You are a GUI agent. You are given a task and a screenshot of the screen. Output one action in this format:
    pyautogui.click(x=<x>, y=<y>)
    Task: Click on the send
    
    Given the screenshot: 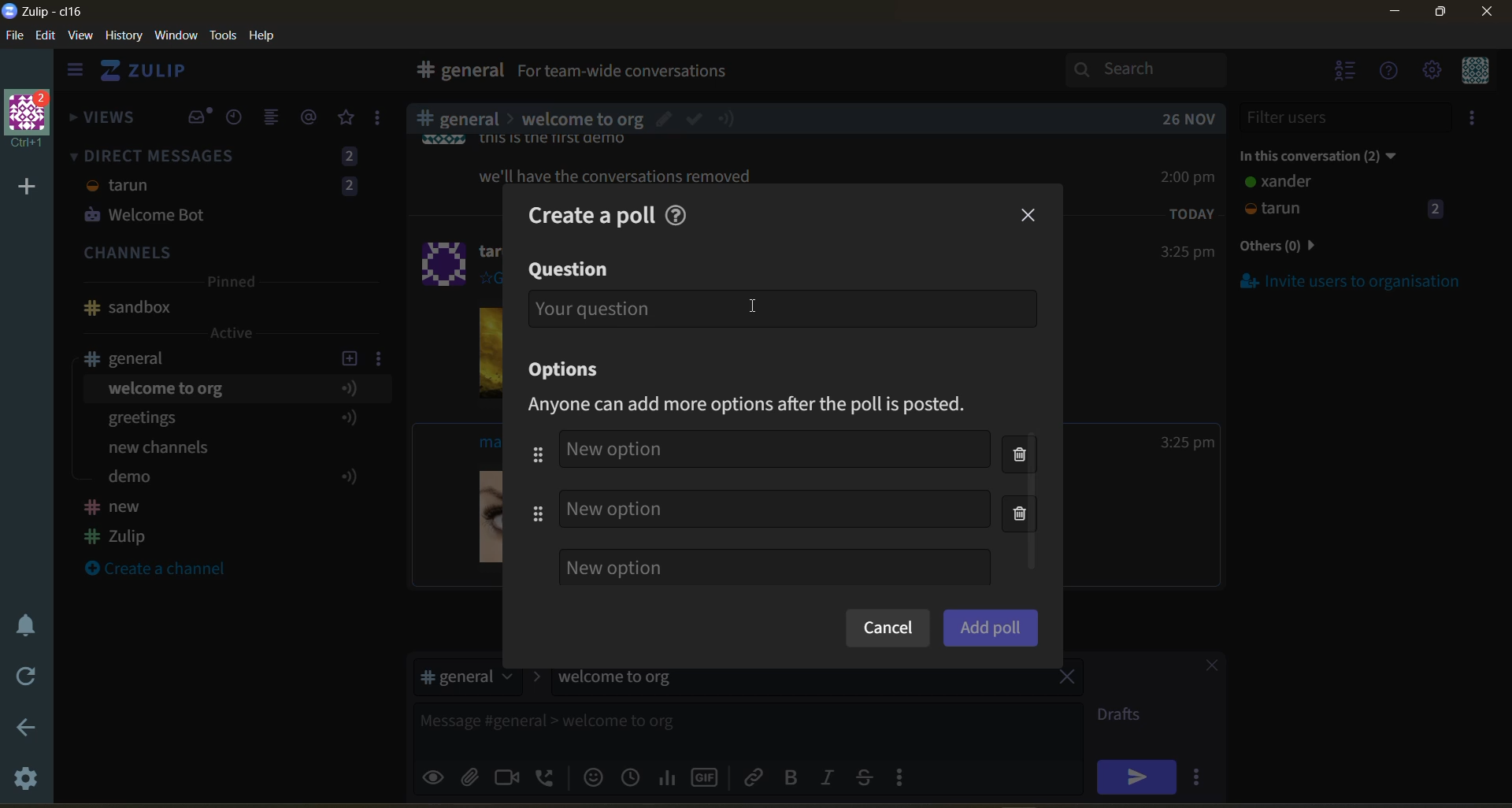 What is the action you would take?
    pyautogui.click(x=1136, y=776)
    